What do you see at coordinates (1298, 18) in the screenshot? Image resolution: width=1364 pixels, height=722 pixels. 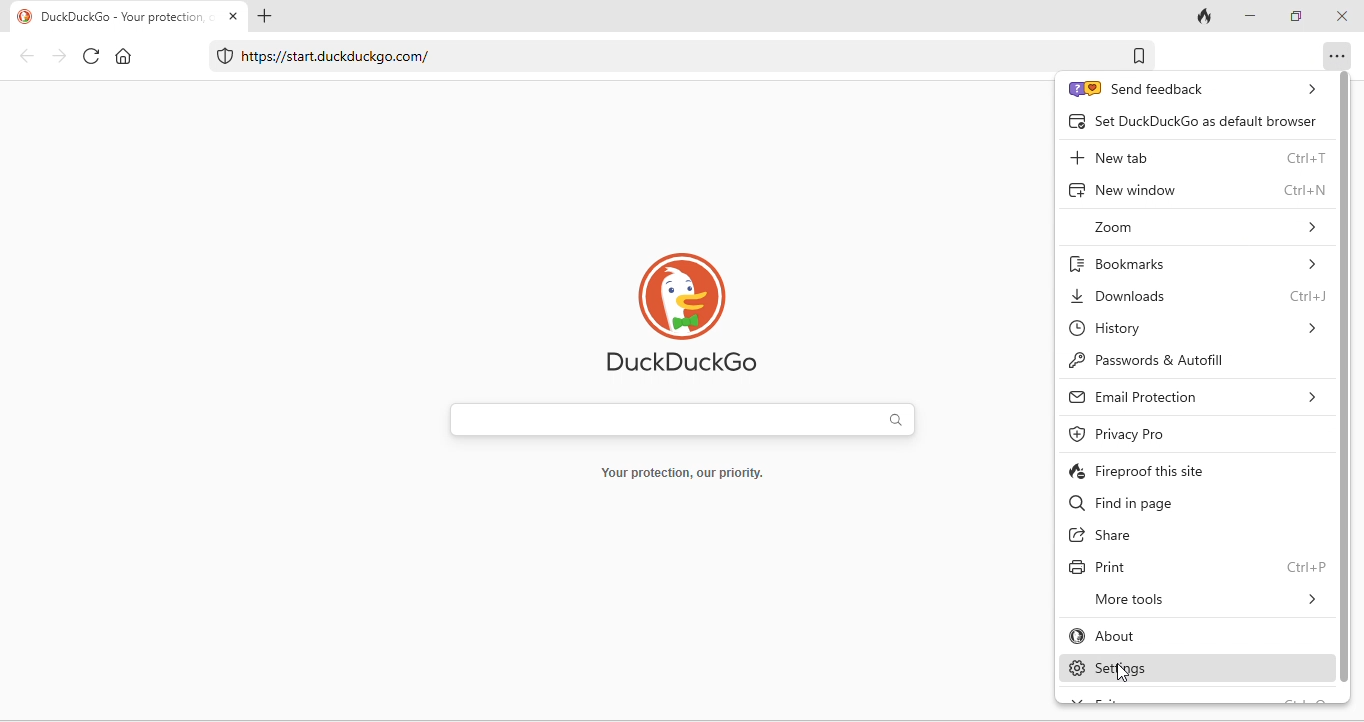 I see `maximize` at bounding box center [1298, 18].